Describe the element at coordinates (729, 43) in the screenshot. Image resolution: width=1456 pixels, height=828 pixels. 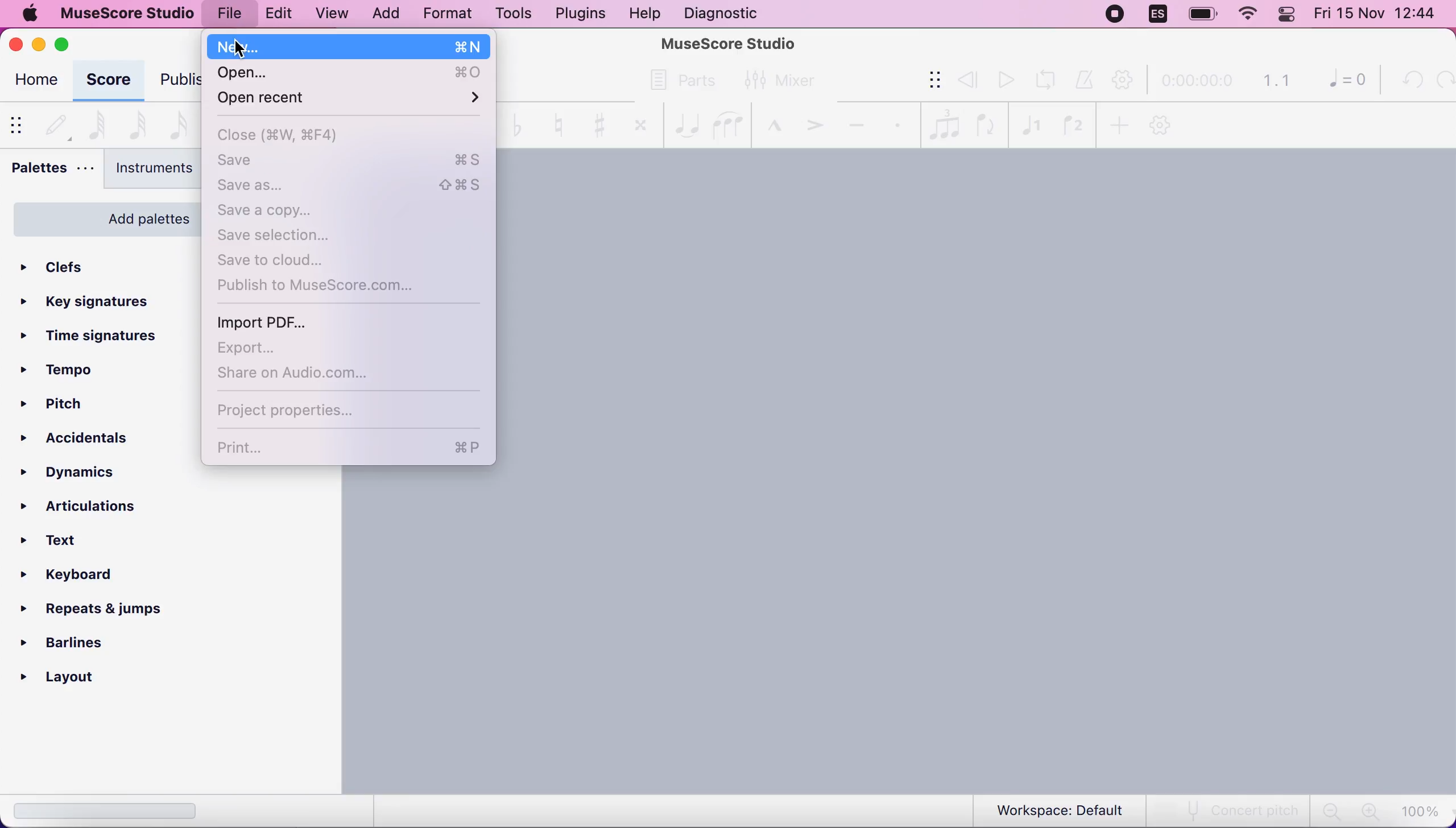
I see `MuseScore Studio` at that location.